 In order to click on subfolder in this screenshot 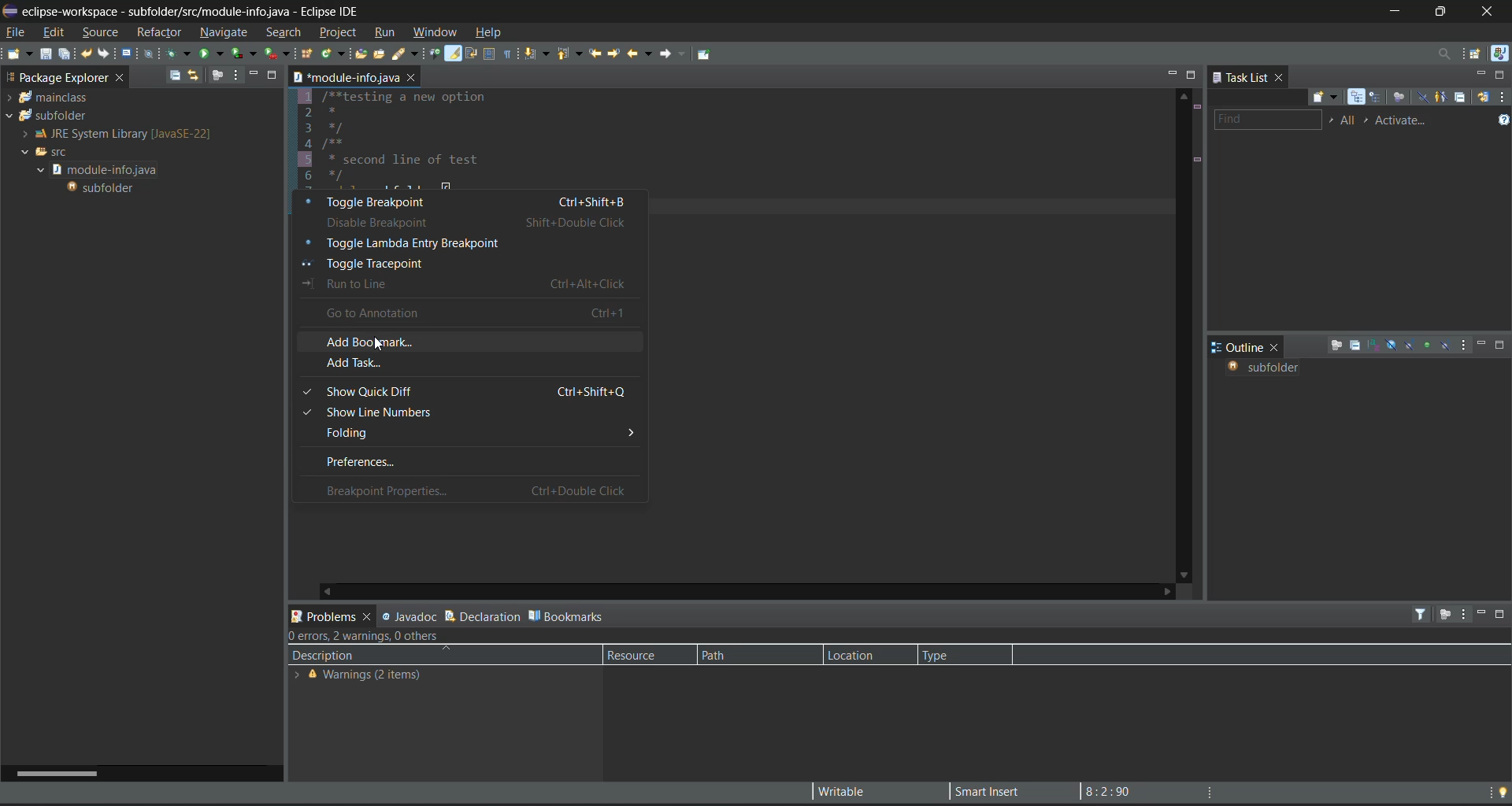, I will do `click(46, 117)`.